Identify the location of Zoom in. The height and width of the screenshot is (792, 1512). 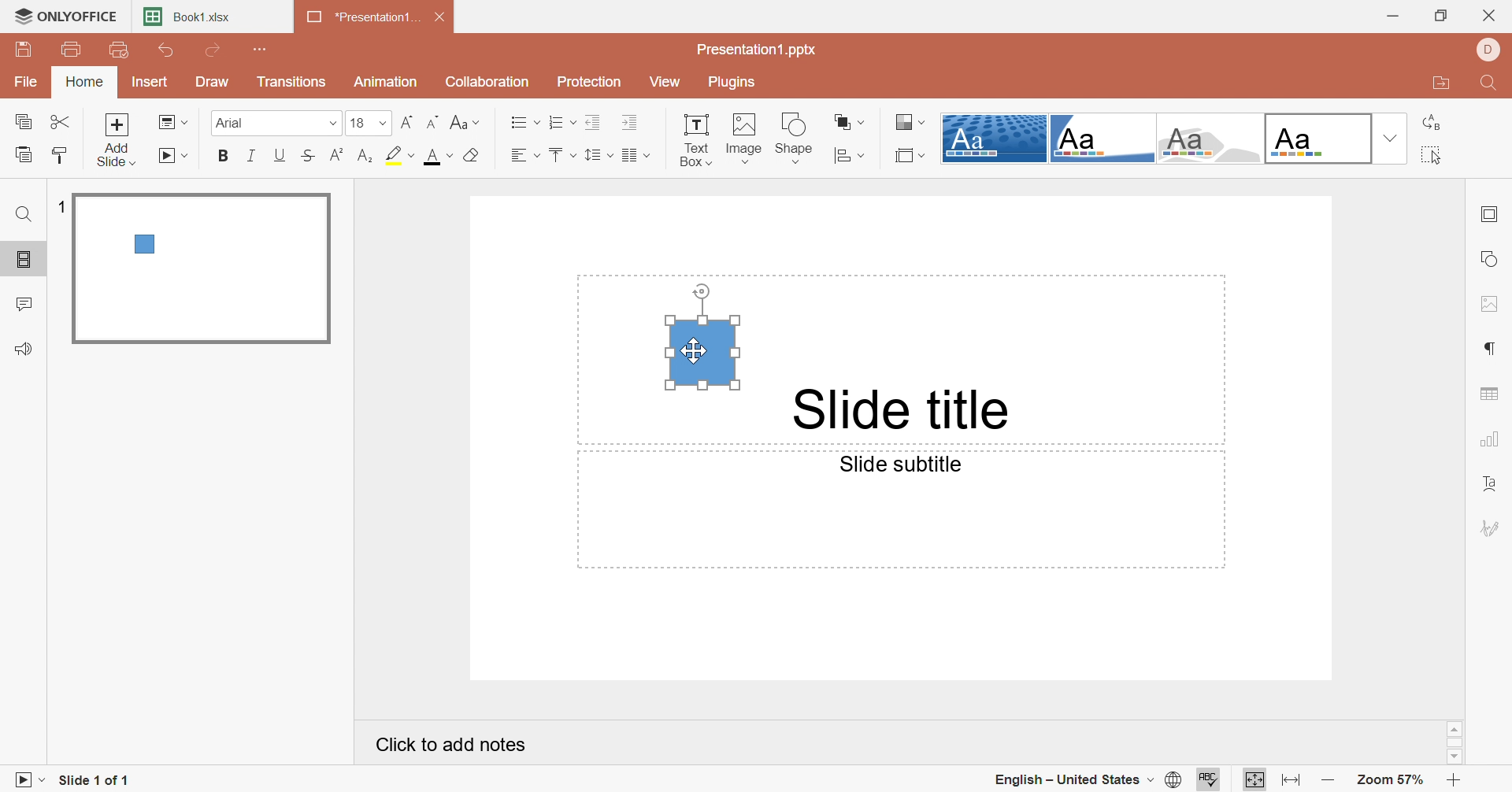
(1459, 779).